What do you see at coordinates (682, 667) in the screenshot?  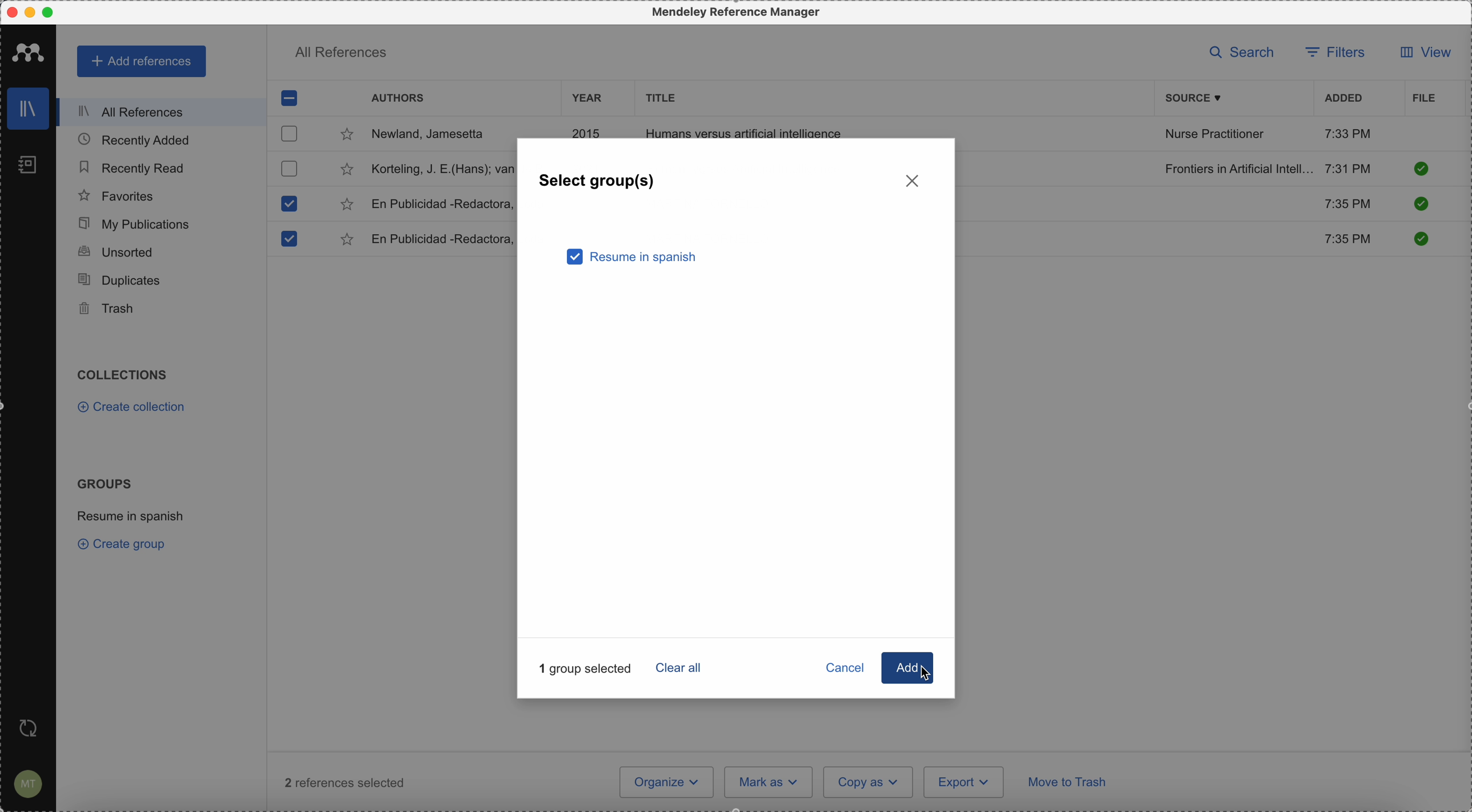 I see `clear all` at bounding box center [682, 667].